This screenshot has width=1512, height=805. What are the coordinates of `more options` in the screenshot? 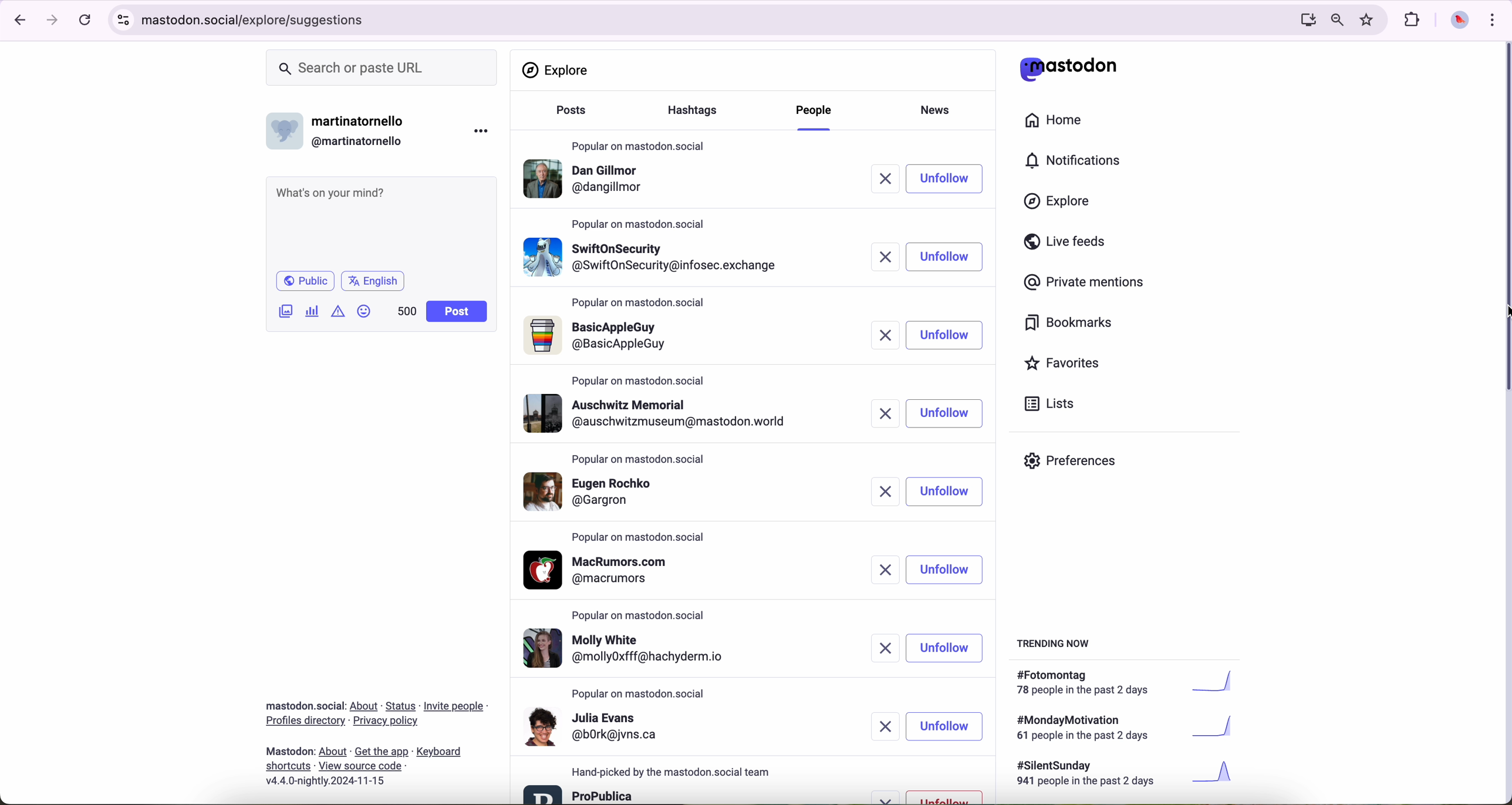 It's located at (484, 130).